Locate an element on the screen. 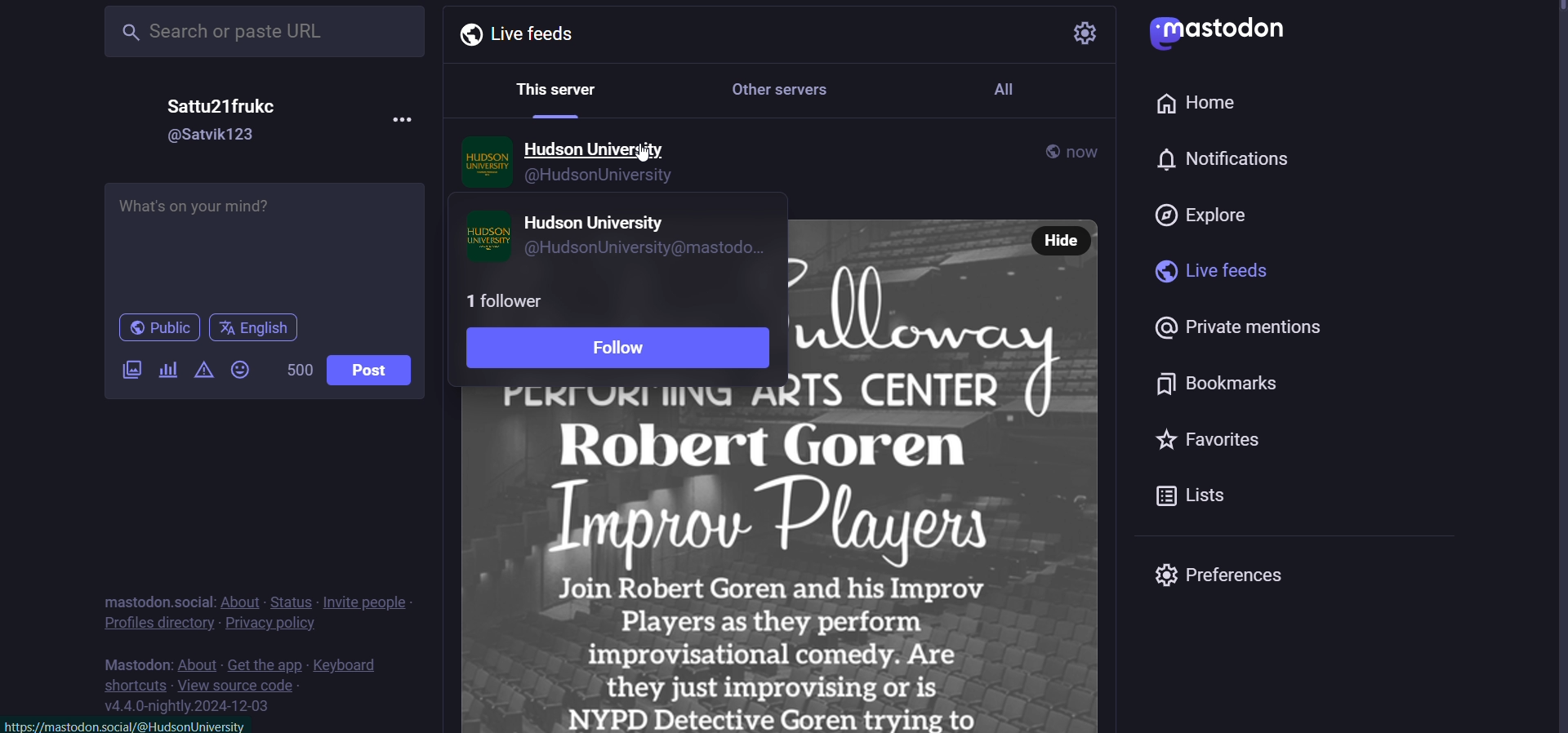 Image resolution: width=1568 pixels, height=733 pixels. Hudson University is located at coordinates (599, 147).